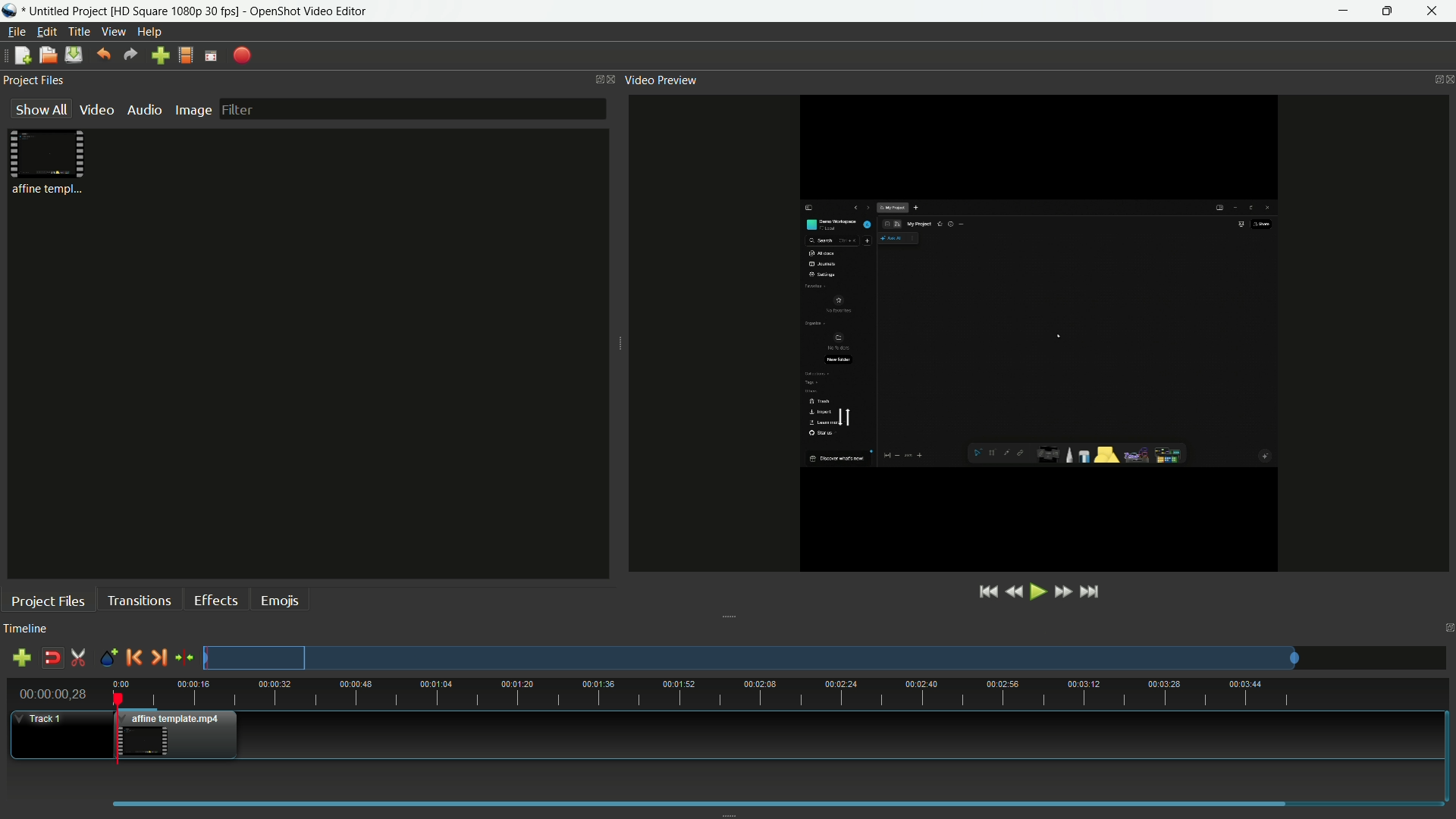 The height and width of the screenshot is (819, 1456). I want to click on play or pause, so click(1037, 591).